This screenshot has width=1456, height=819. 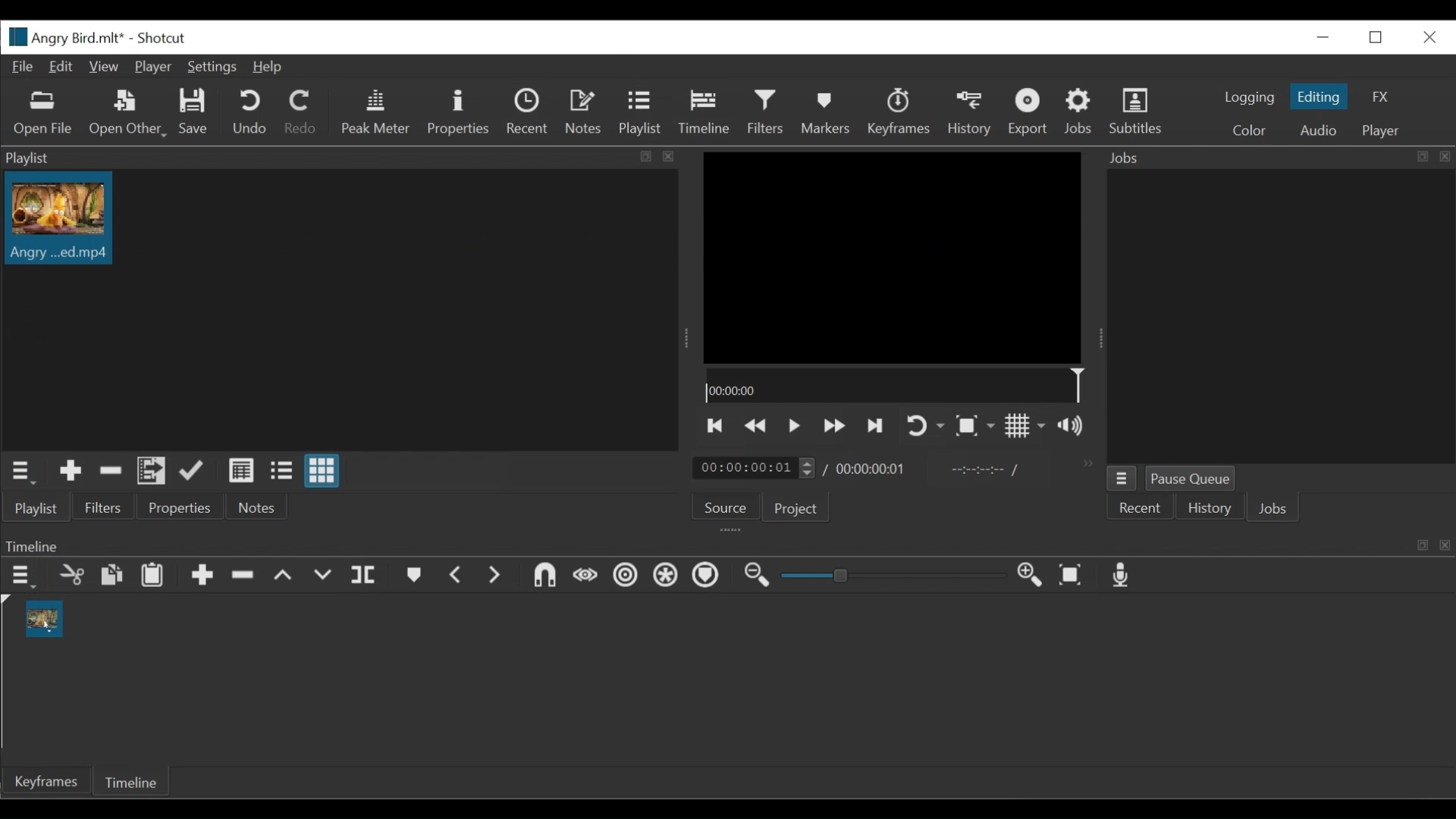 I want to click on Media Viewer, so click(x=894, y=256).